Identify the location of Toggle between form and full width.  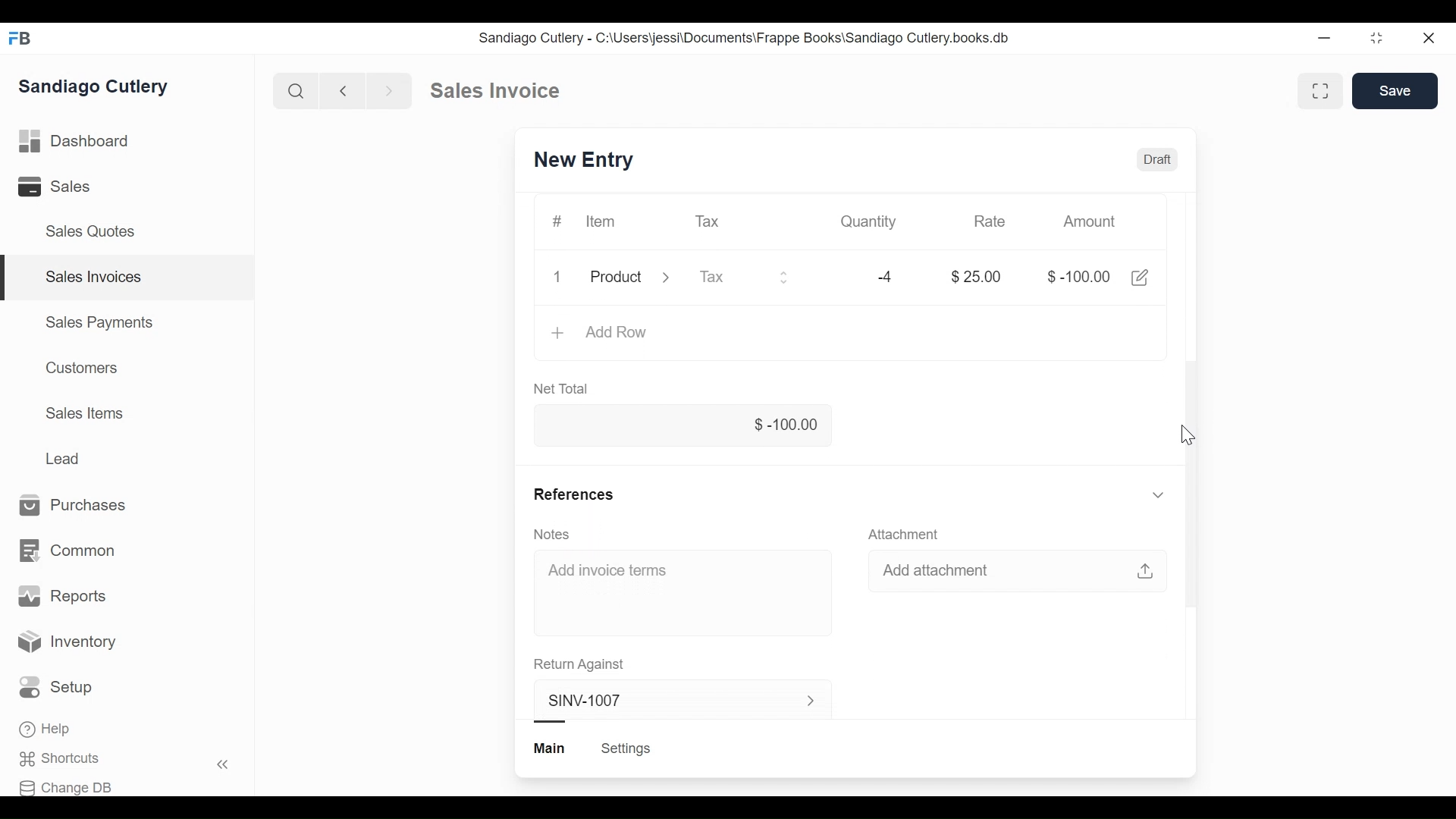
(1321, 91).